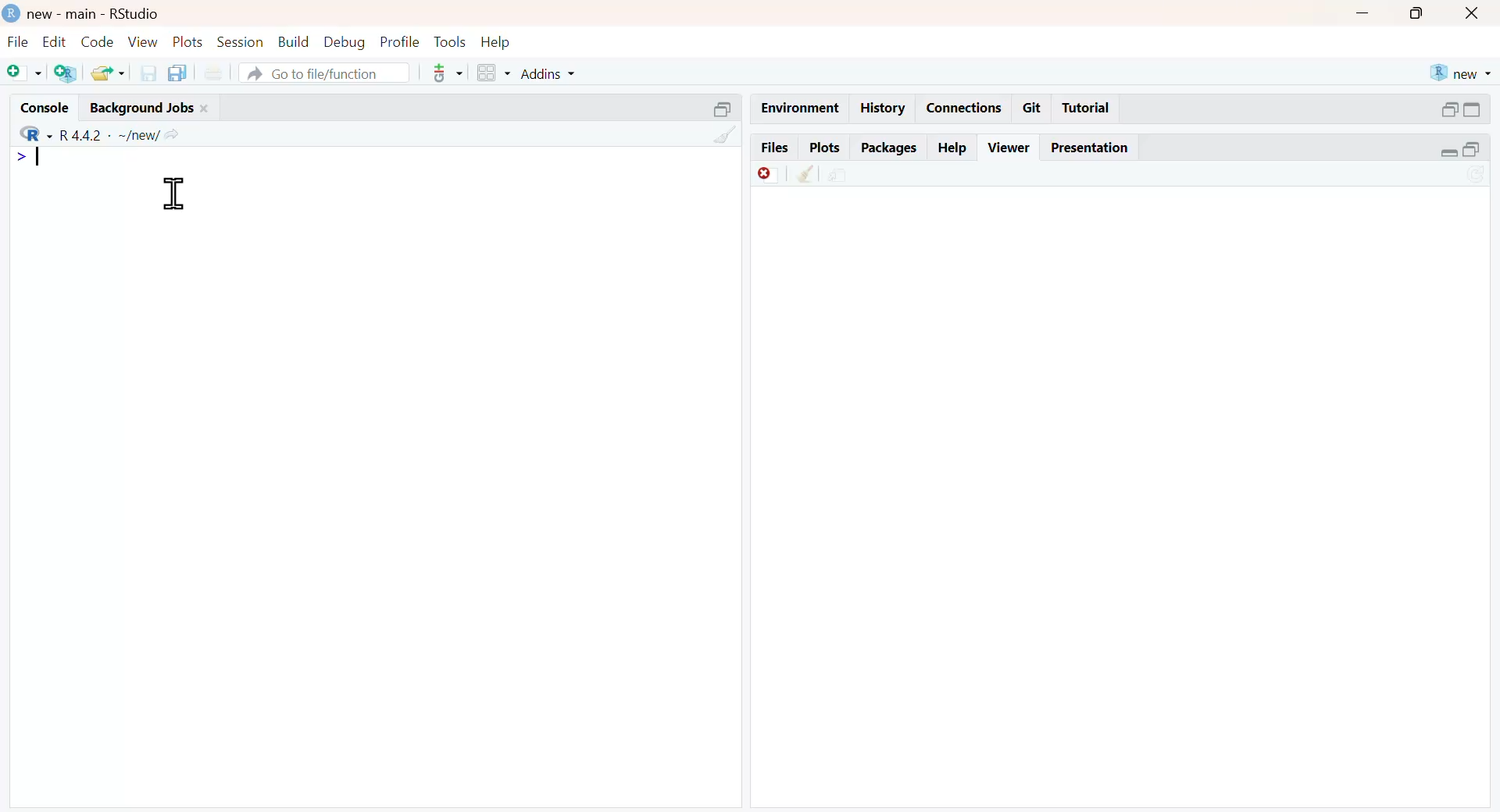  Describe the element at coordinates (450, 41) in the screenshot. I see `tools` at that location.